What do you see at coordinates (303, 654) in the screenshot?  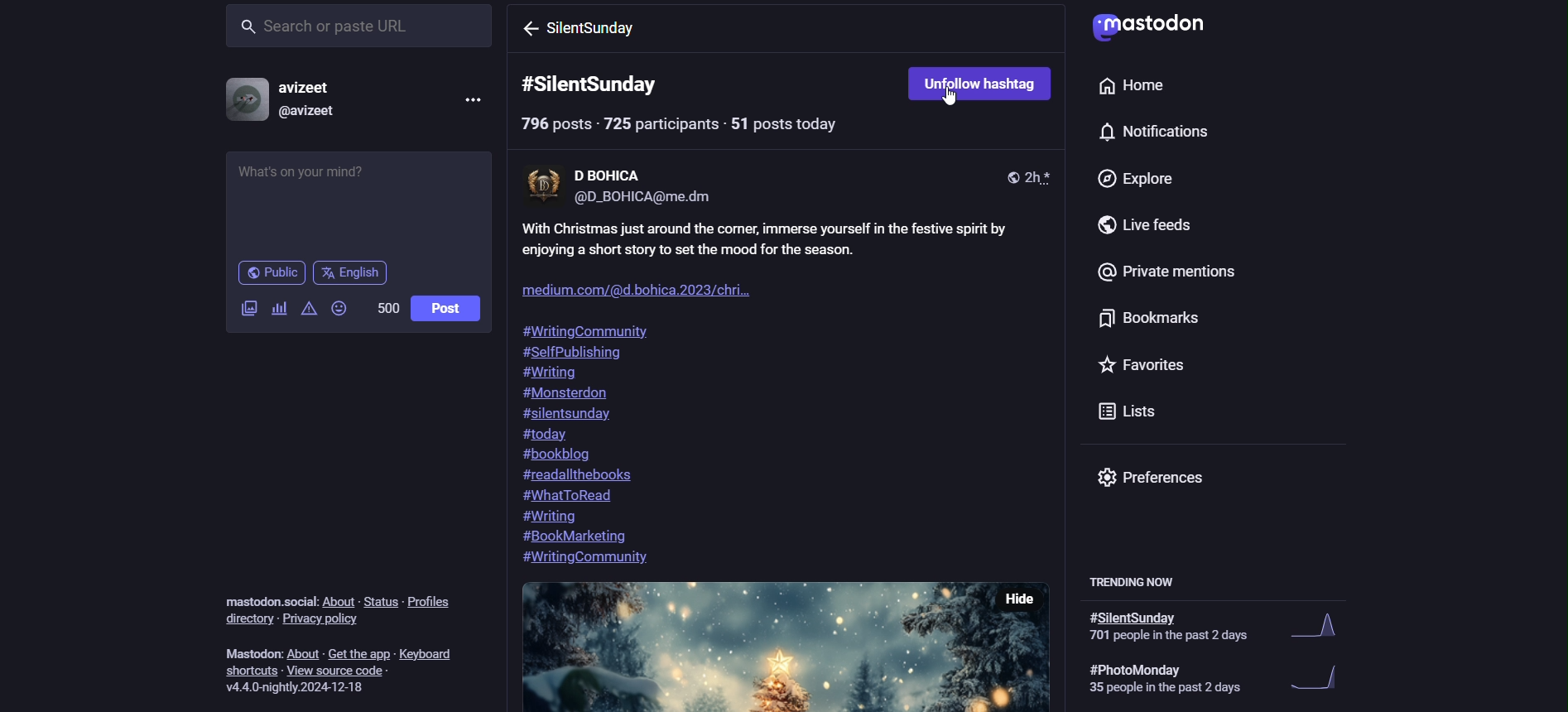 I see `about` at bounding box center [303, 654].